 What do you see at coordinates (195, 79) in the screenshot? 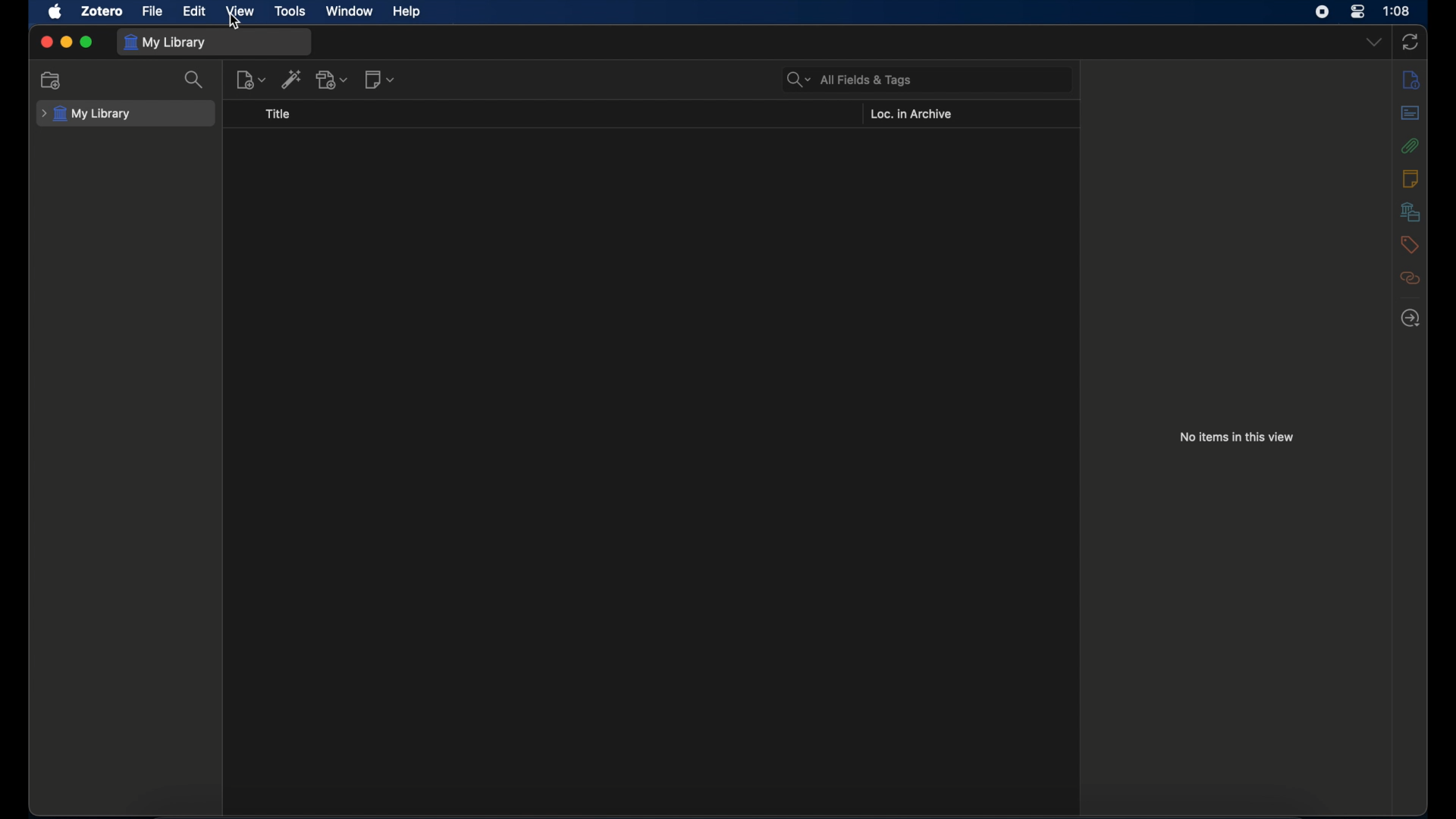
I see `search` at bounding box center [195, 79].